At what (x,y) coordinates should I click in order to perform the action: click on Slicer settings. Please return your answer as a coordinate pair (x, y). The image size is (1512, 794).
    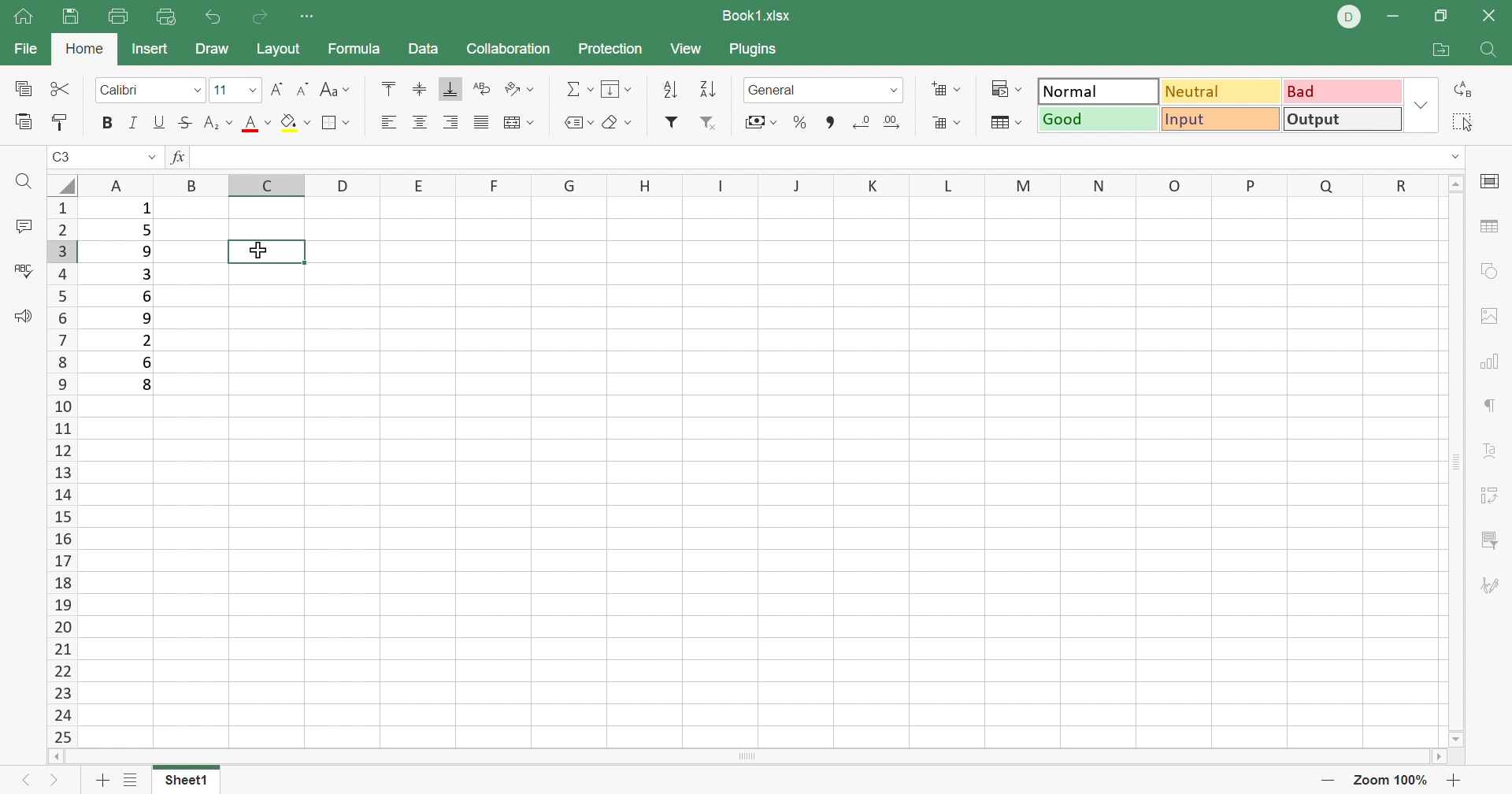
    Looking at the image, I should click on (1486, 541).